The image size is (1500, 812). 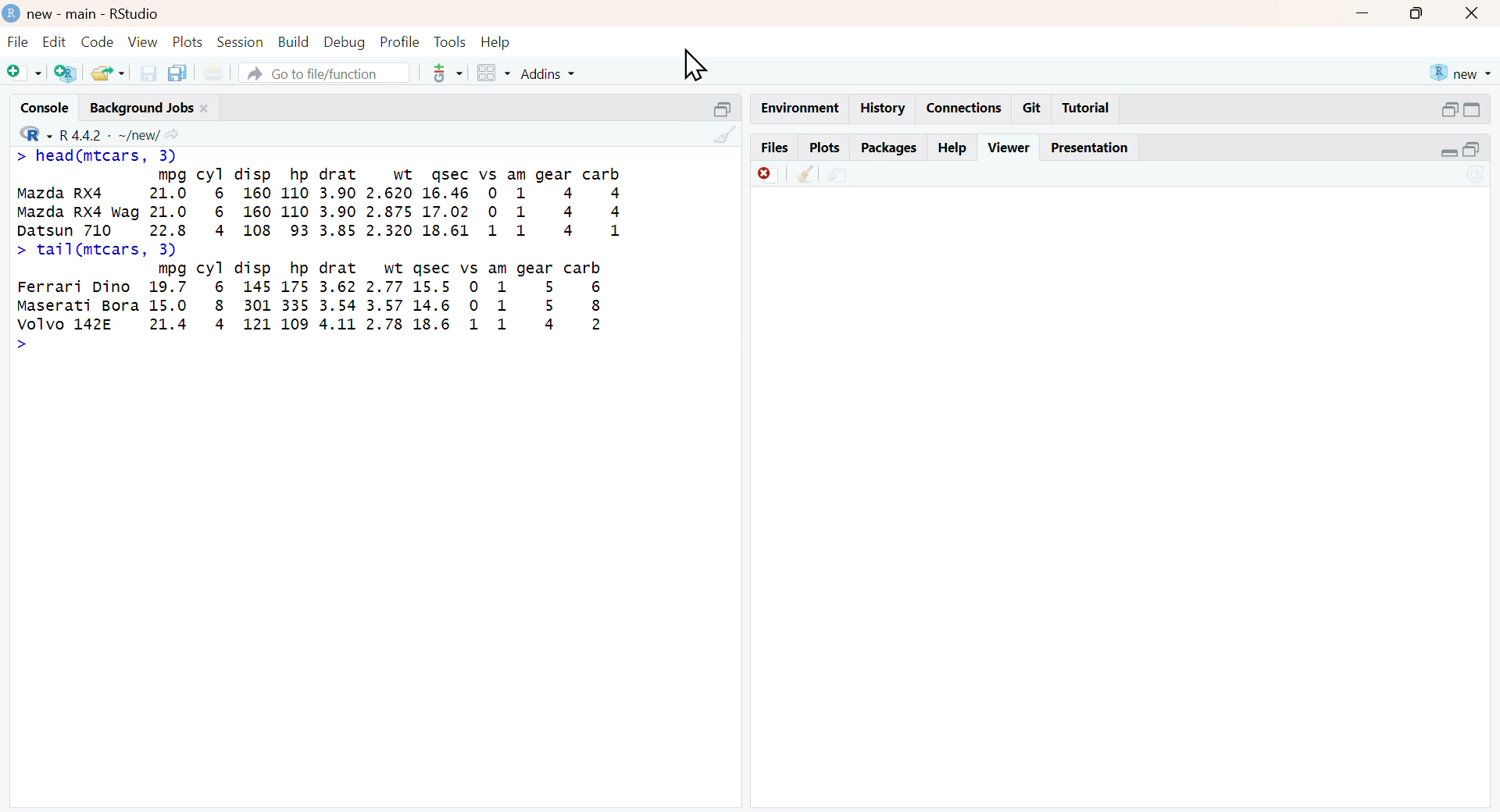 What do you see at coordinates (318, 306) in the screenshot?
I see `> tail(mtcars, 3)

mpg cyl disp hp drat wt gsec vs am gear carb
Ferrari Dino 19.7 6 145 175 3.62 2.77 15.5 0 1 5 6
Maserati Bora 15.0 8 301 335 3.54 3.57 14.6 0 1 5 8
Volvo 142E 21.4 4 121 109 4.11 2.78 18.6 1 1 4 2
>` at bounding box center [318, 306].